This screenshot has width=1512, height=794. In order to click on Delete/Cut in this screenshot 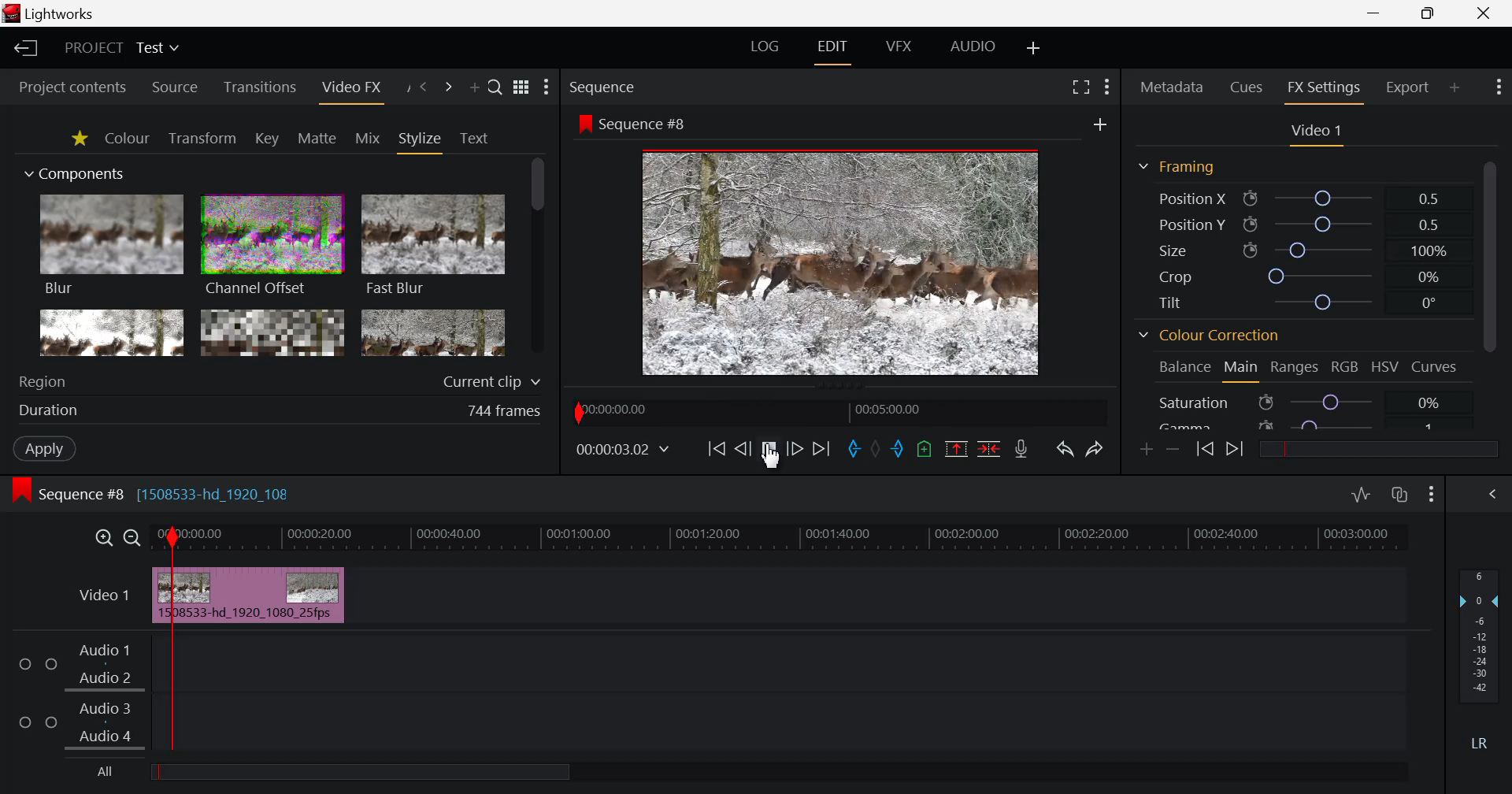, I will do `click(989, 449)`.